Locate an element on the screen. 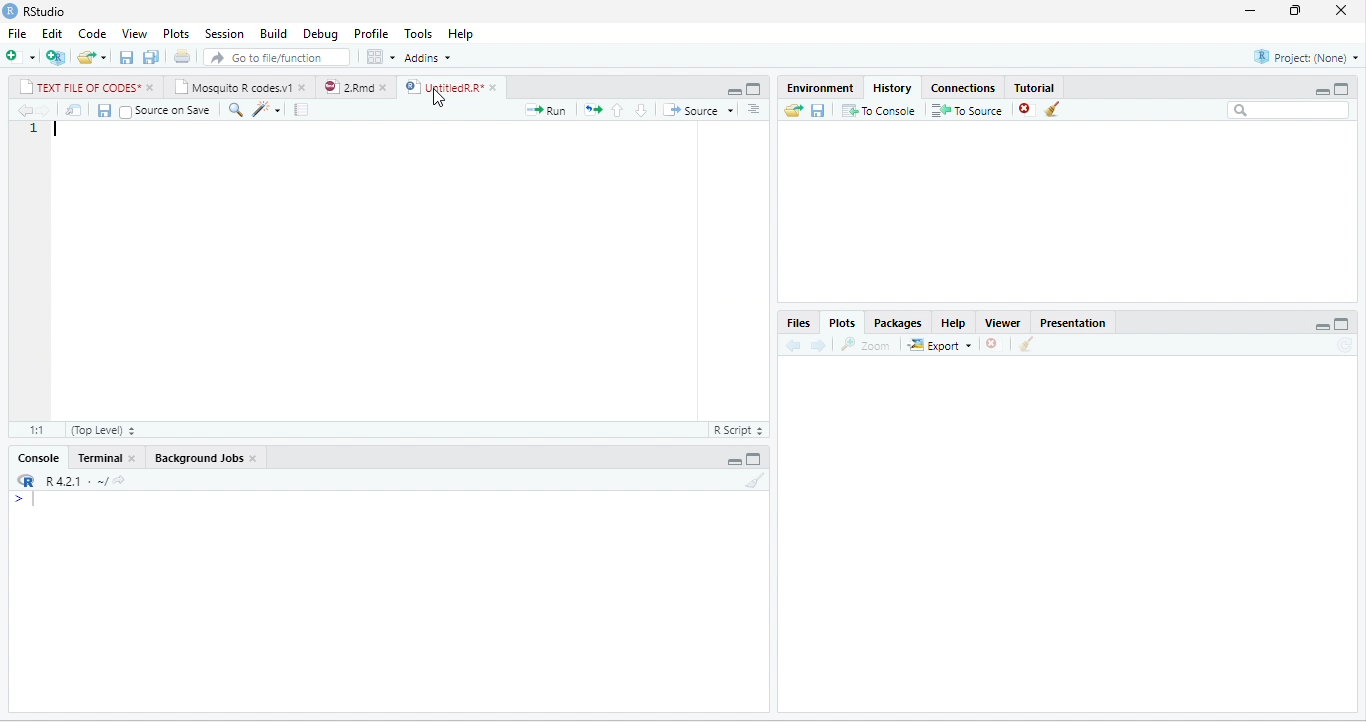 This screenshot has height=722, width=1366. Build is located at coordinates (273, 34).